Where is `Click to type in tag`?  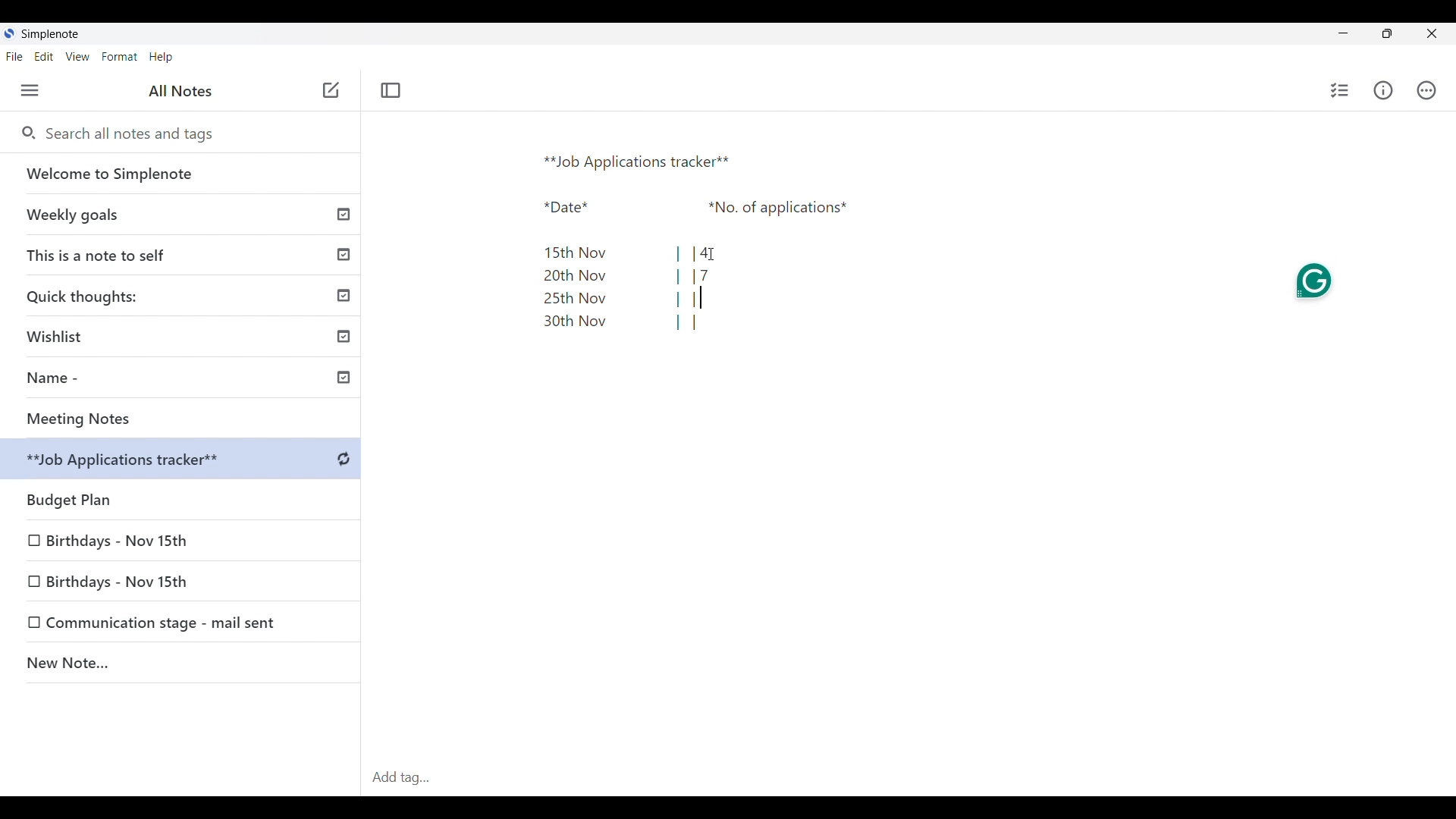 Click to type in tag is located at coordinates (908, 778).